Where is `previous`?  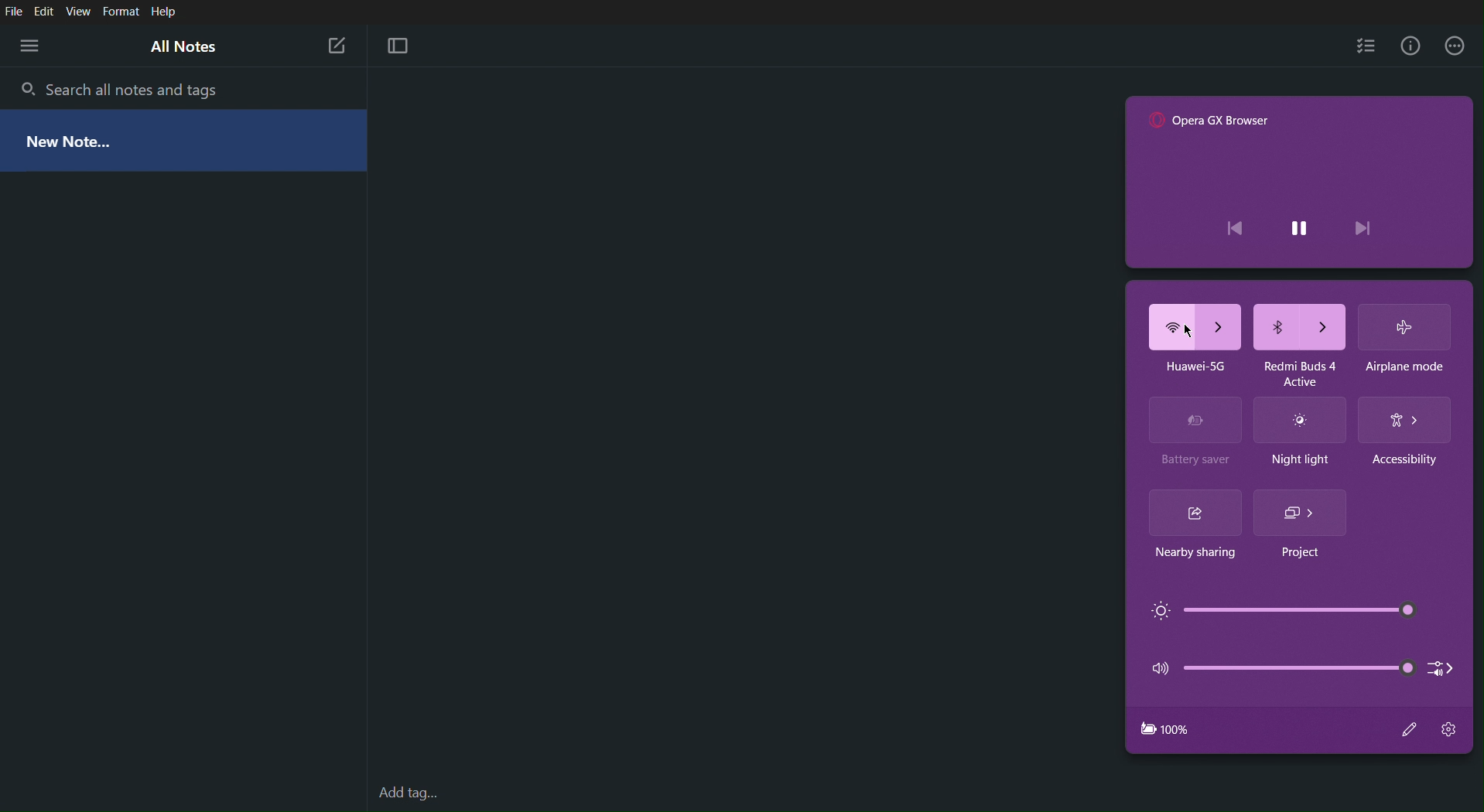
previous is located at coordinates (1240, 229).